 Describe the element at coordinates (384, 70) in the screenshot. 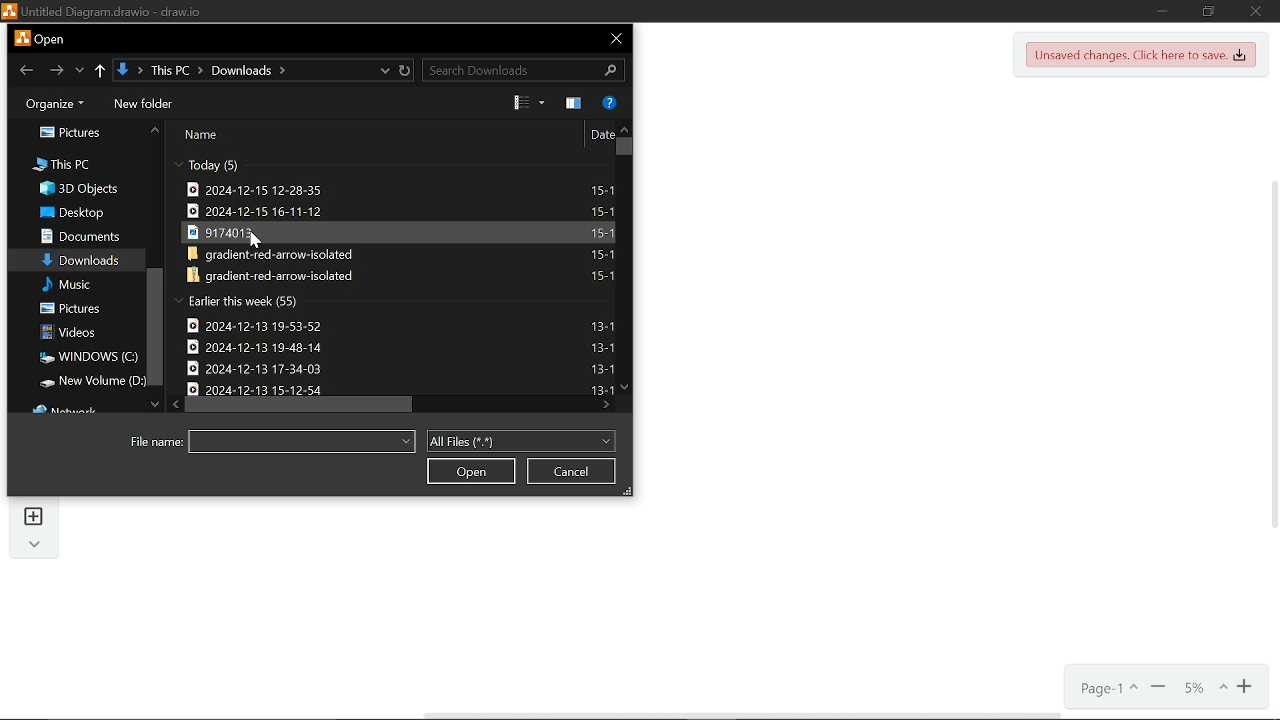

I see `Previous locations` at that location.